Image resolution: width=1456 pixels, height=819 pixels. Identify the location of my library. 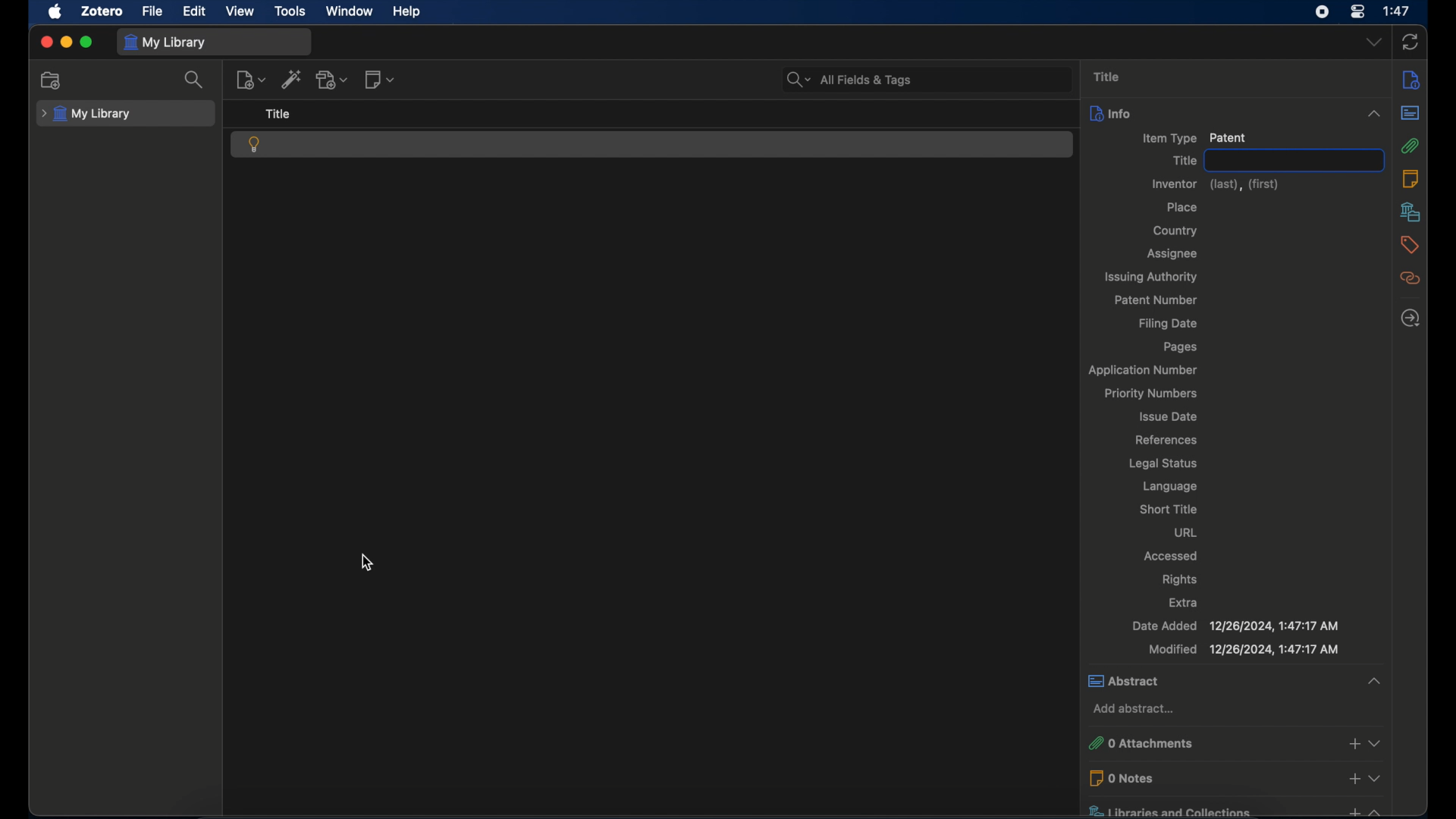
(86, 114).